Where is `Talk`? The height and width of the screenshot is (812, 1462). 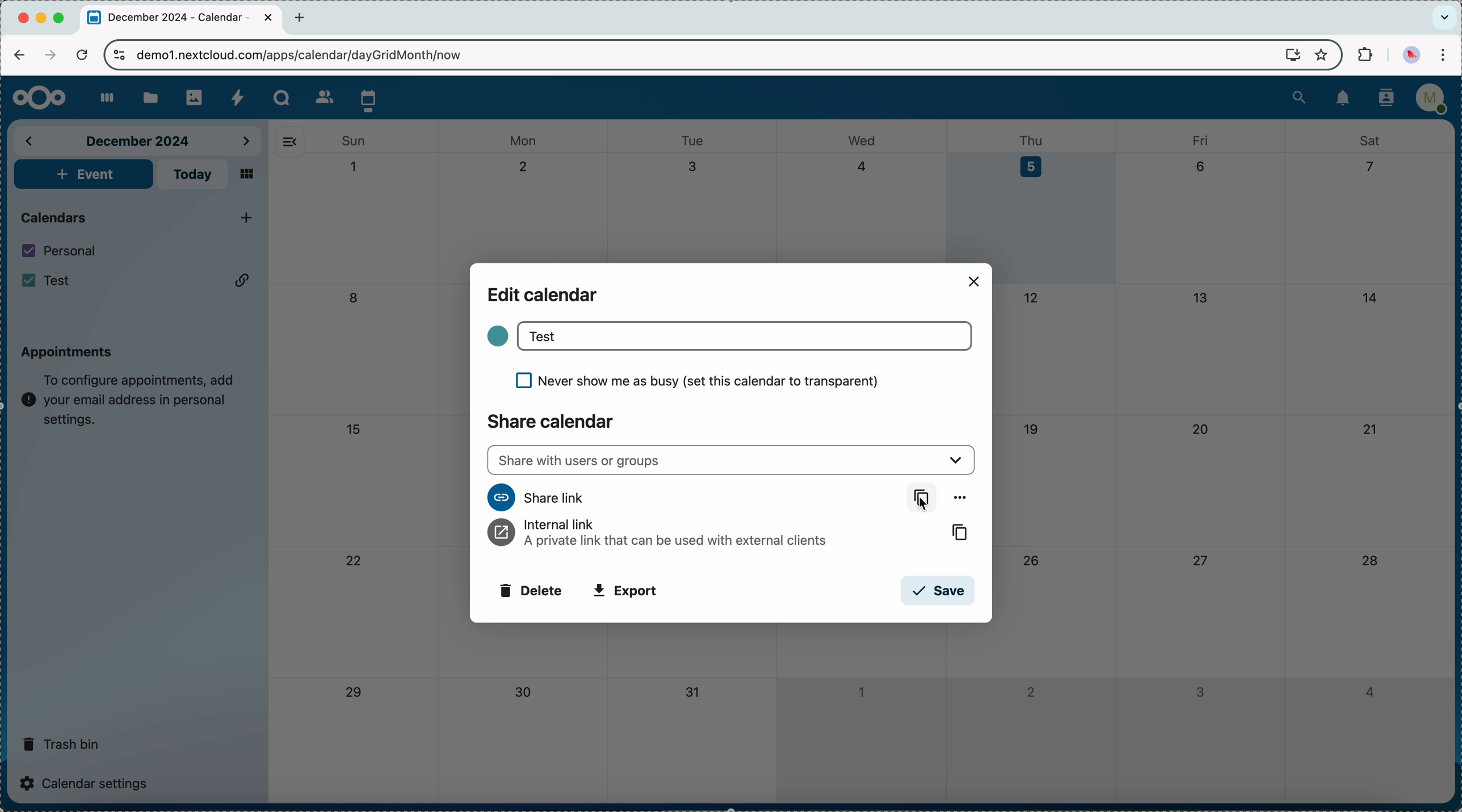 Talk is located at coordinates (282, 98).